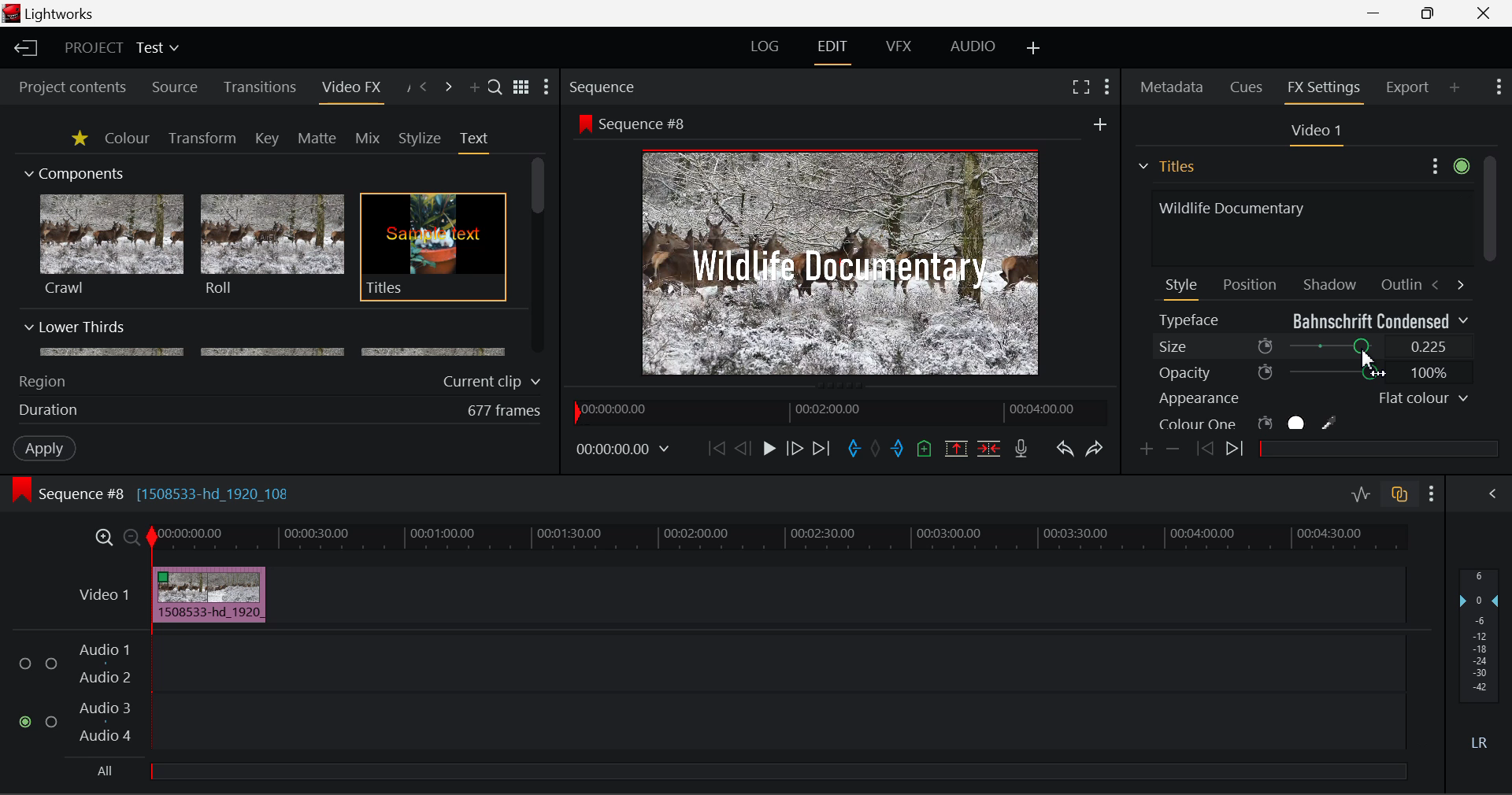  I want to click on EDIT Layout Open, so click(836, 52).